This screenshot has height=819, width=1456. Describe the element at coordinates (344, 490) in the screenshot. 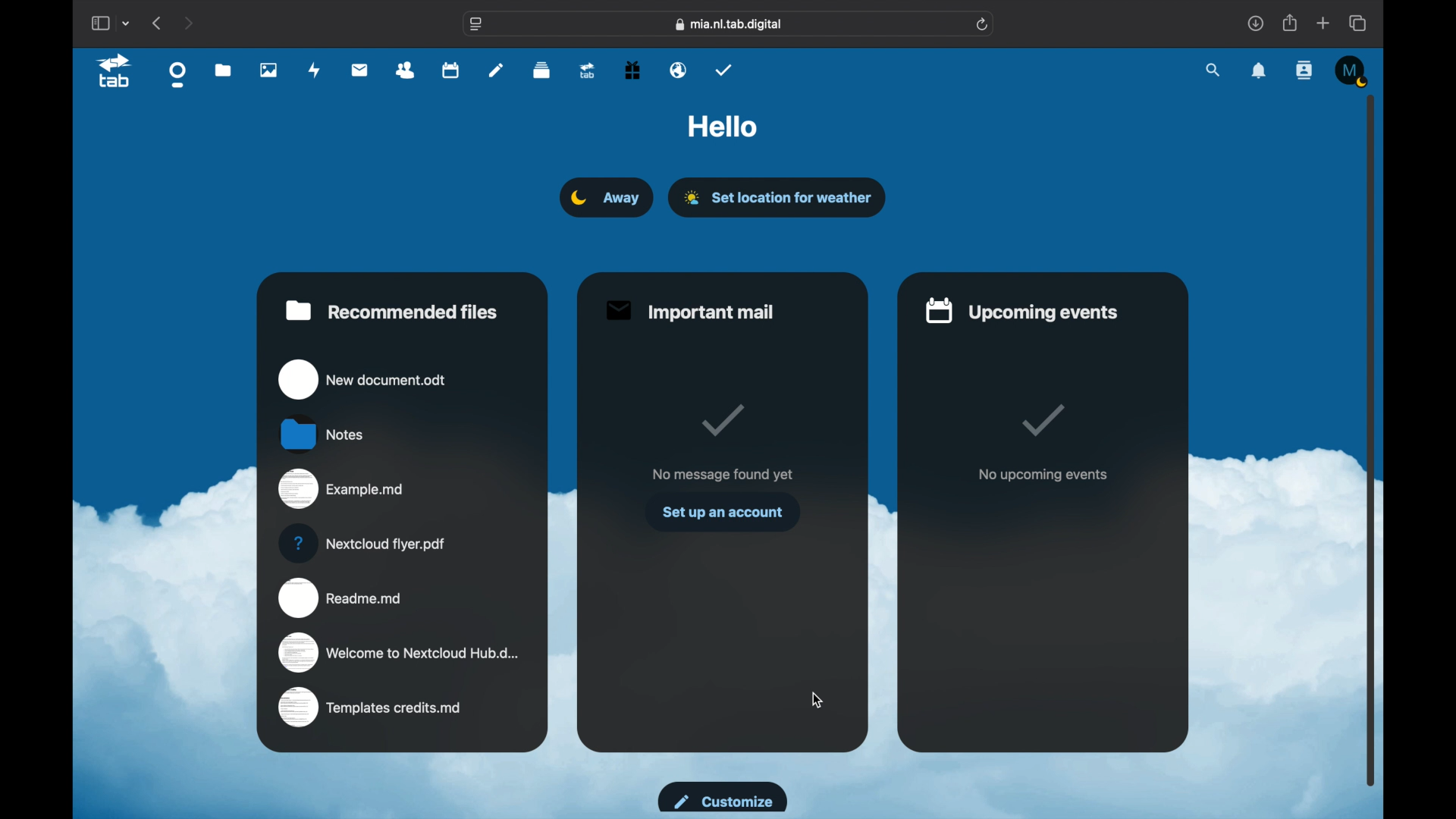

I see `example` at that location.